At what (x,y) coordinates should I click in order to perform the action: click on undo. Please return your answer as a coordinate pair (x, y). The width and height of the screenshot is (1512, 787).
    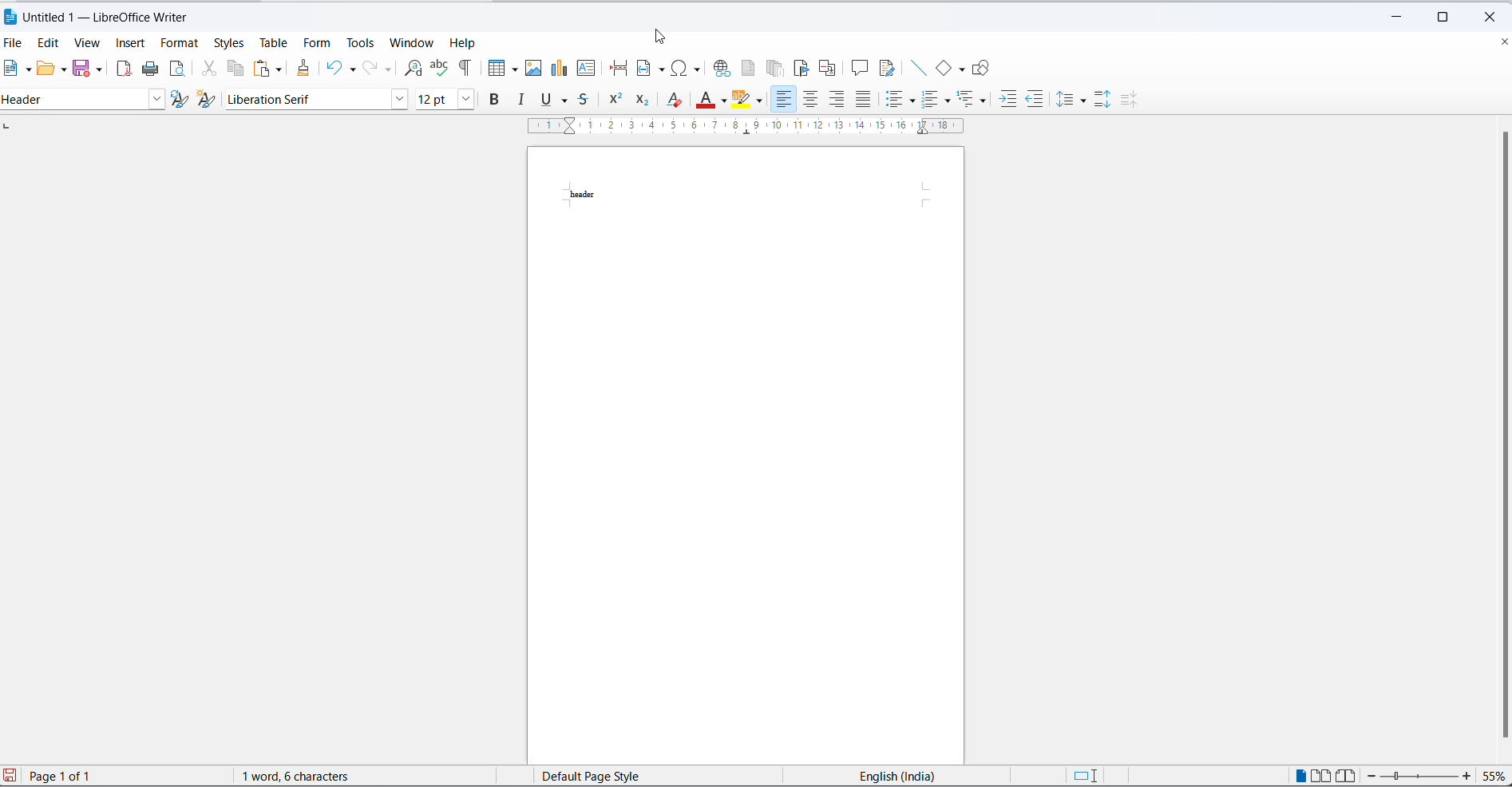
    Looking at the image, I should click on (333, 69).